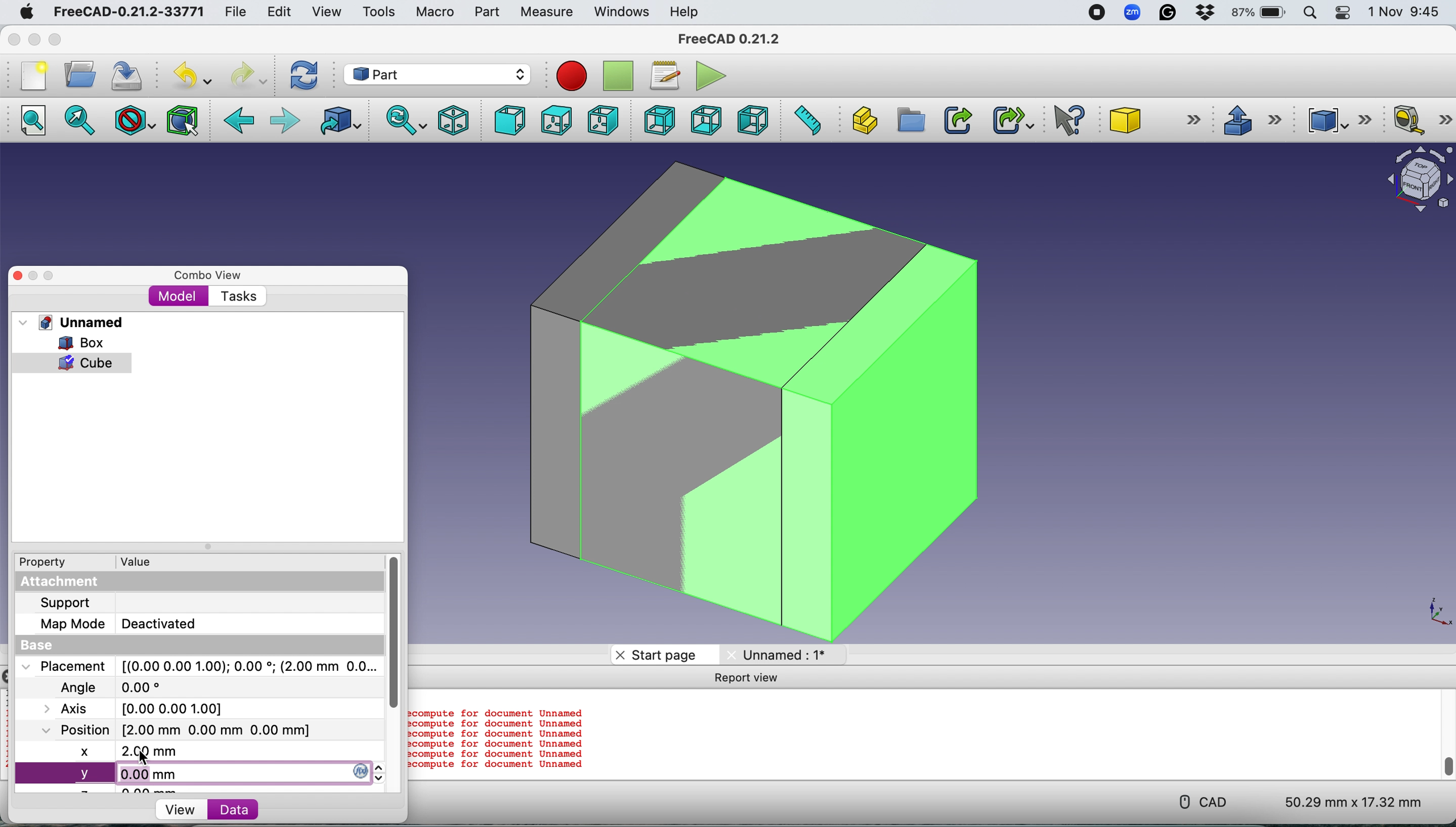 The width and height of the screenshot is (1456, 827). I want to click on New, so click(32, 76).